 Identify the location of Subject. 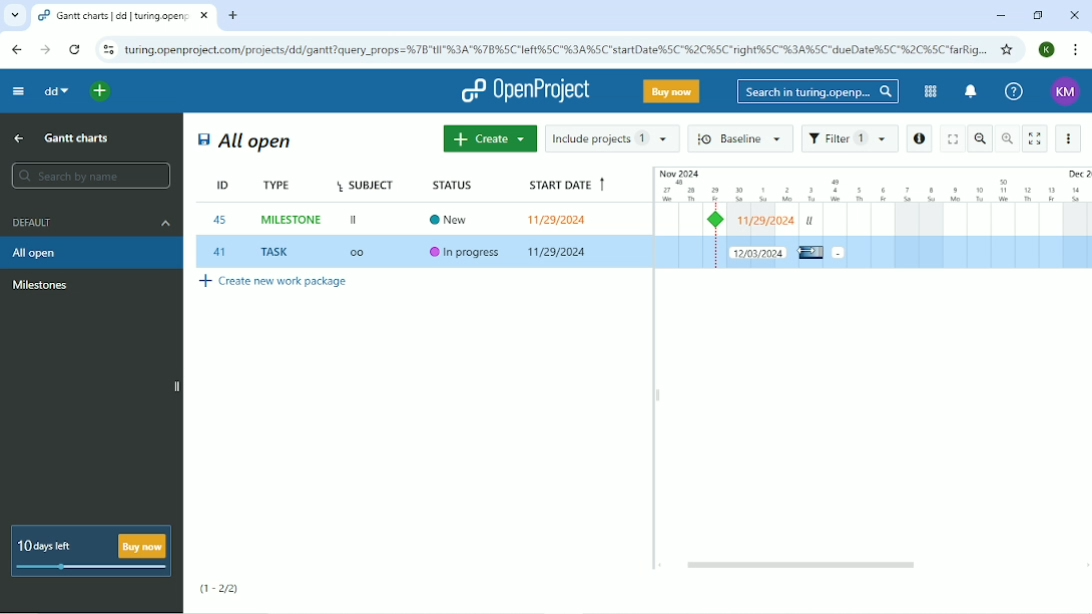
(364, 184).